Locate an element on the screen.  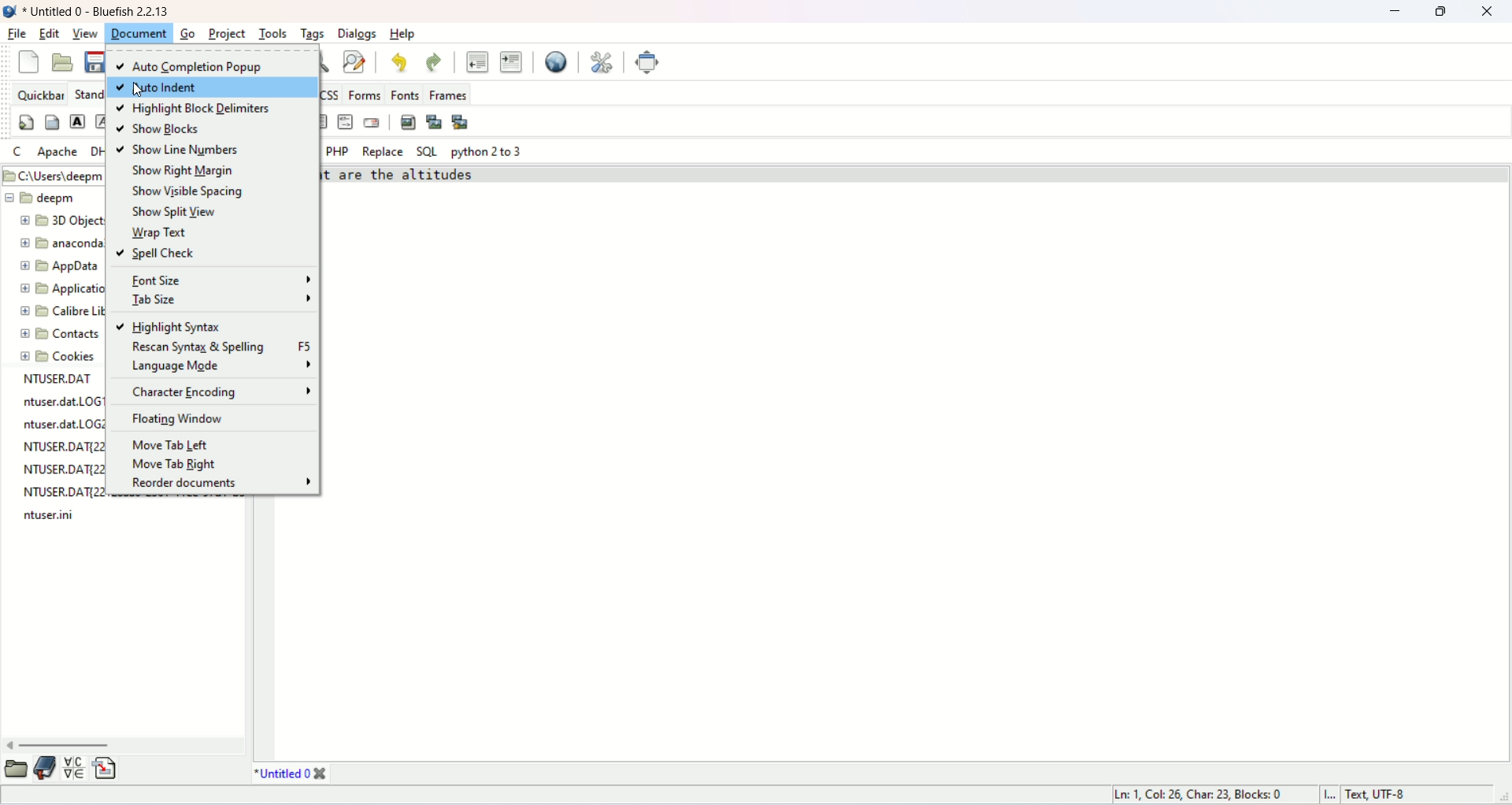
standard is located at coordinates (83, 91).